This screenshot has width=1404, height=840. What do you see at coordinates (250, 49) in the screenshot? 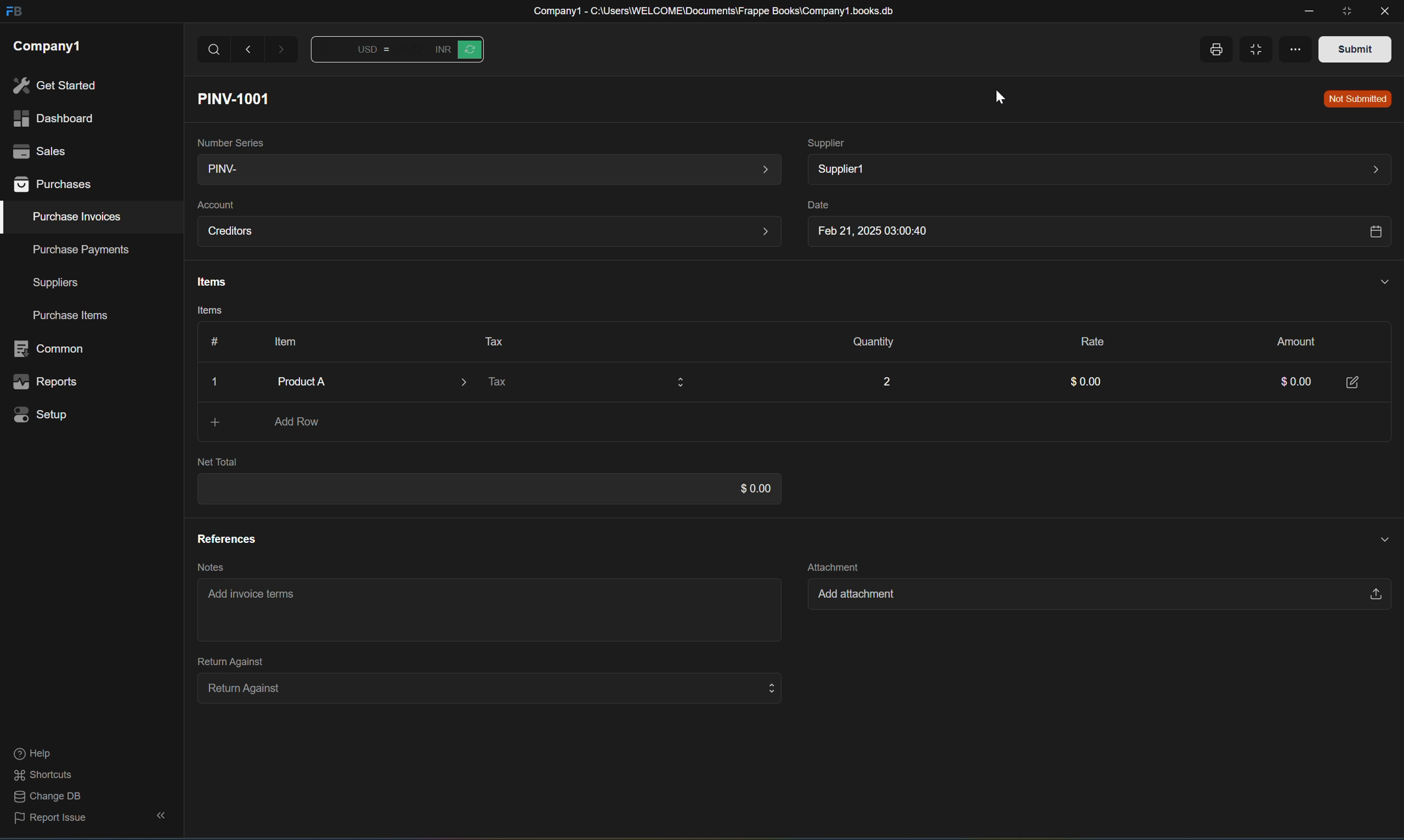
I see `Back` at bounding box center [250, 49].